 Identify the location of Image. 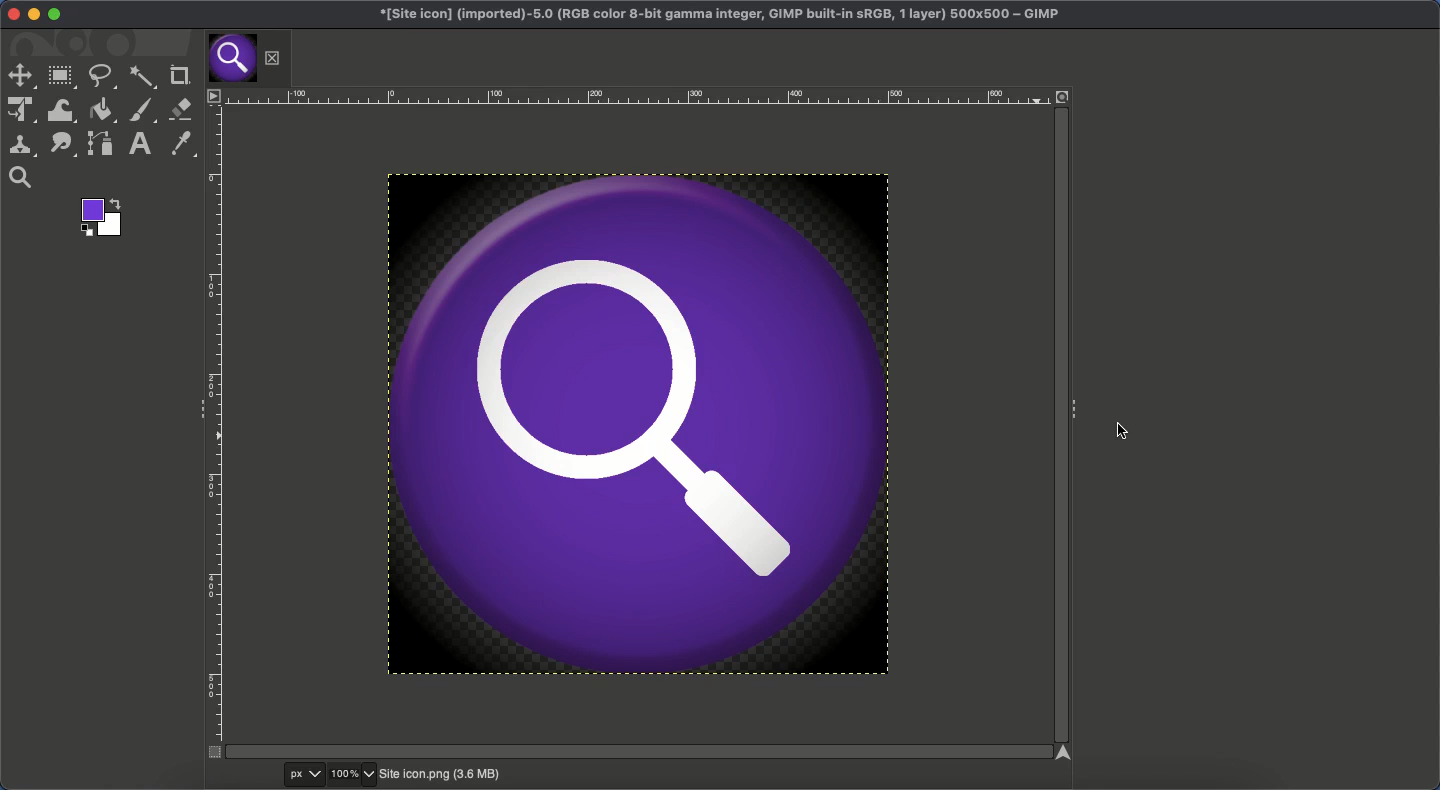
(439, 775).